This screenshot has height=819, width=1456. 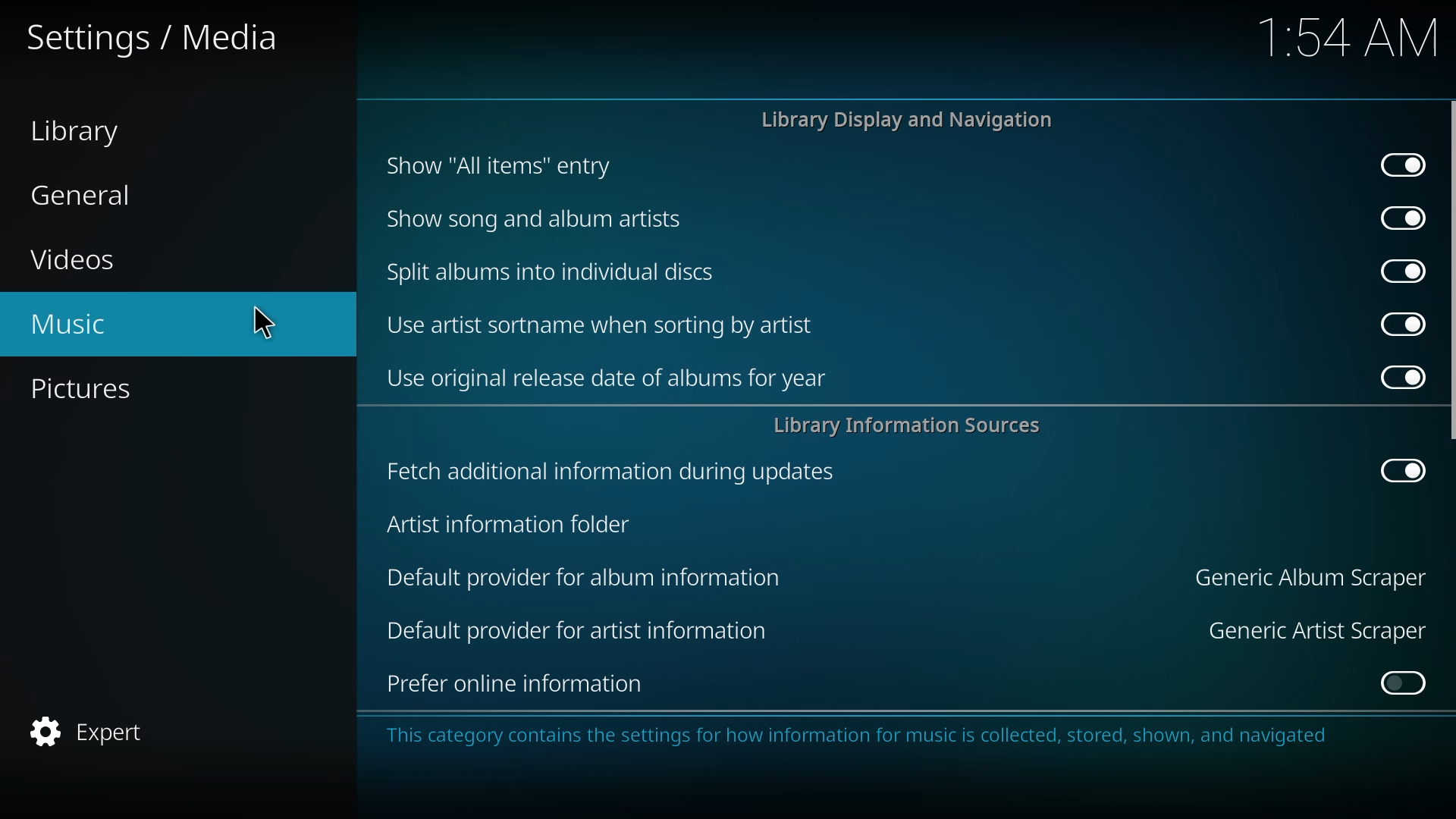 What do you see at coordinates (157, 37) in the screenshot?
I see `settings media` at bounding box center [157, 37].